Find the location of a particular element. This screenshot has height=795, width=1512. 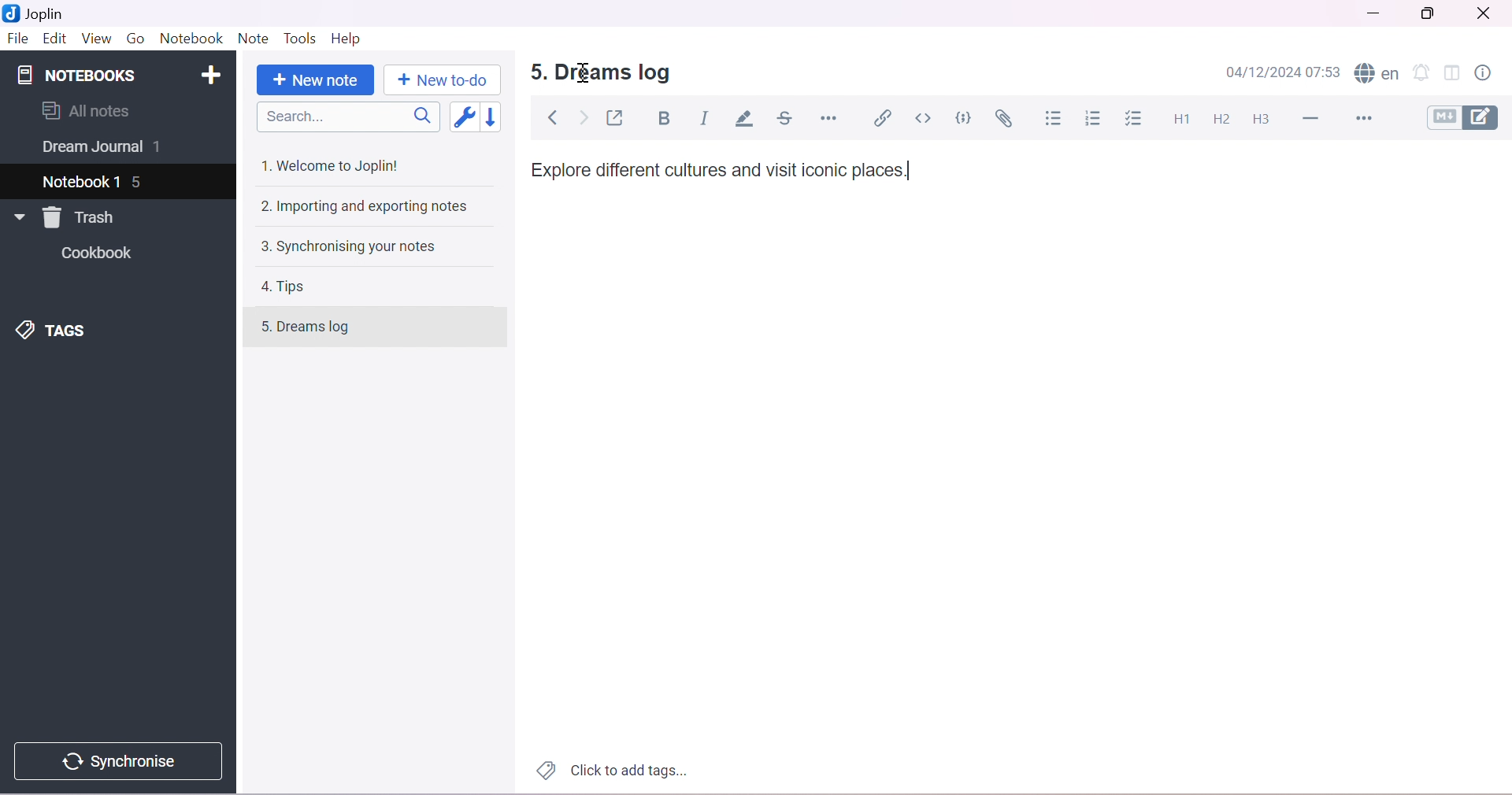

5.  is located at coordinates (258, 331).